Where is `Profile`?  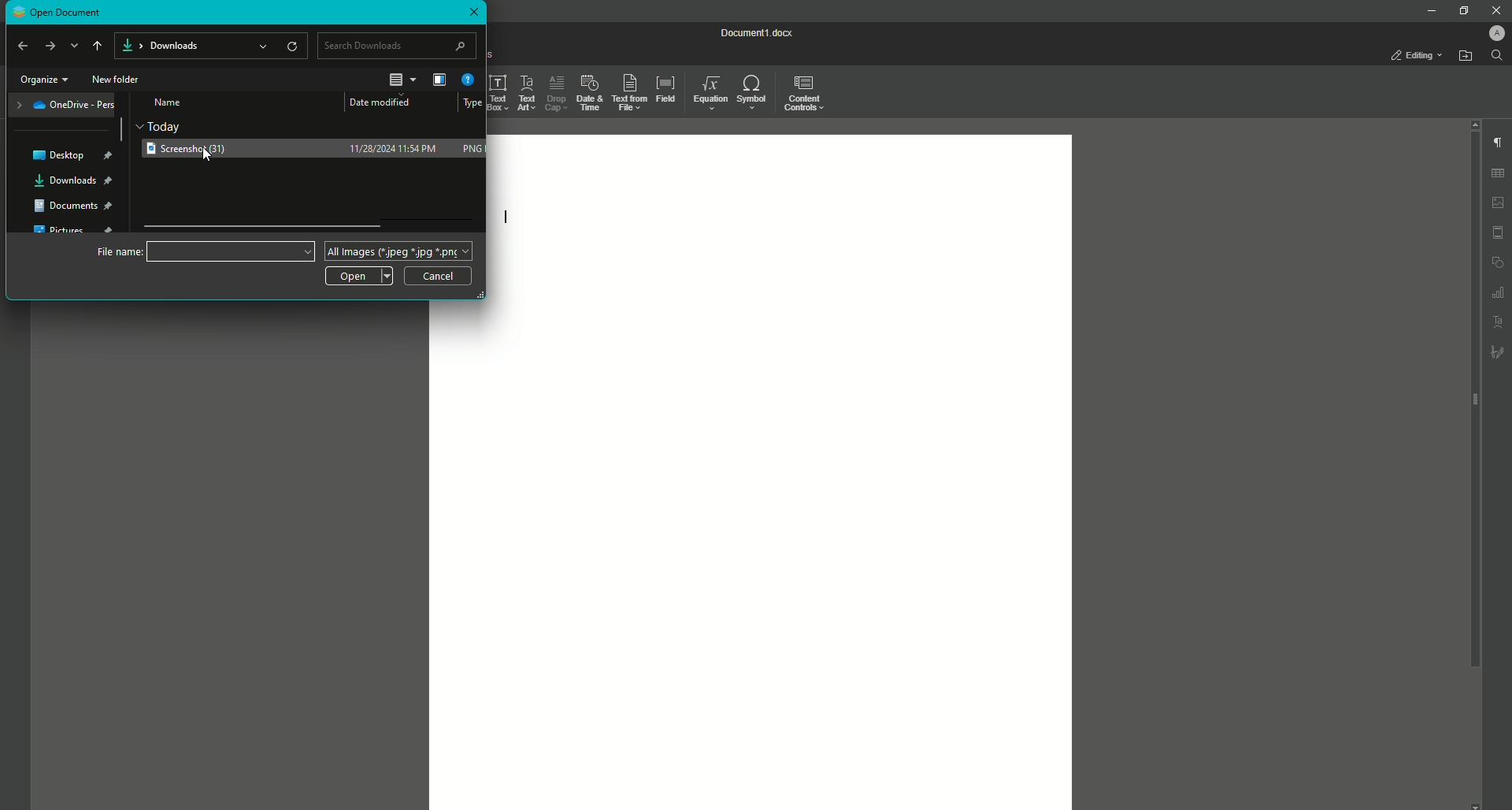
Profile is located at coordinates (1495, 32).